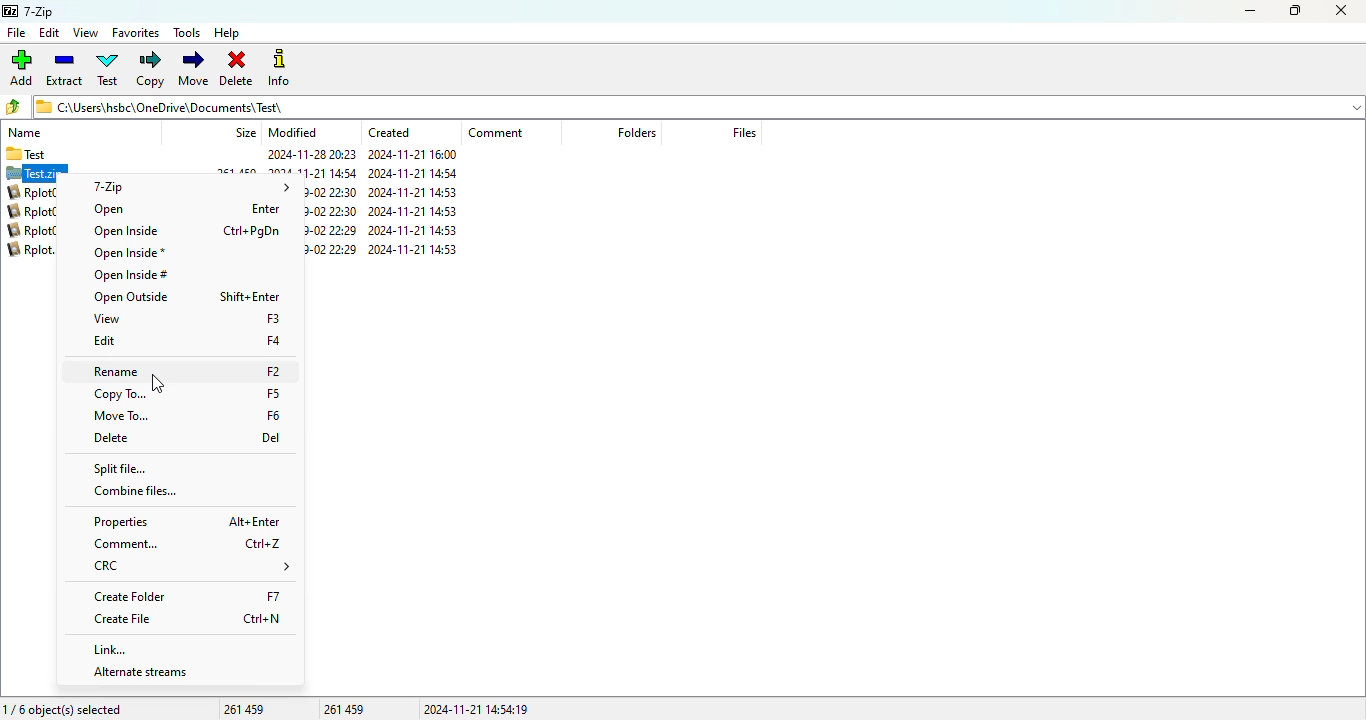 This screenshot has width=1366, height=720. Describe the element at coordinates (14, 107) in the screenshot. I see `browse folders` at that location.